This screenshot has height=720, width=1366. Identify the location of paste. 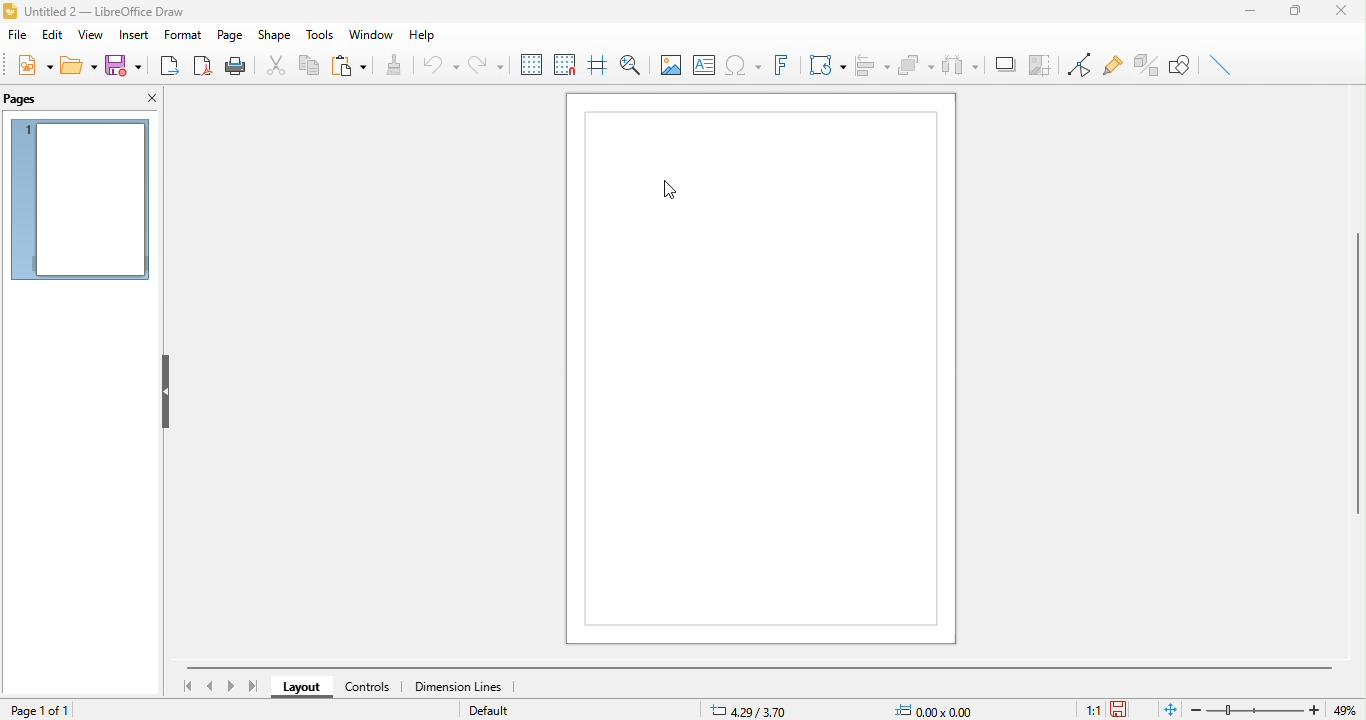
(350, 66).